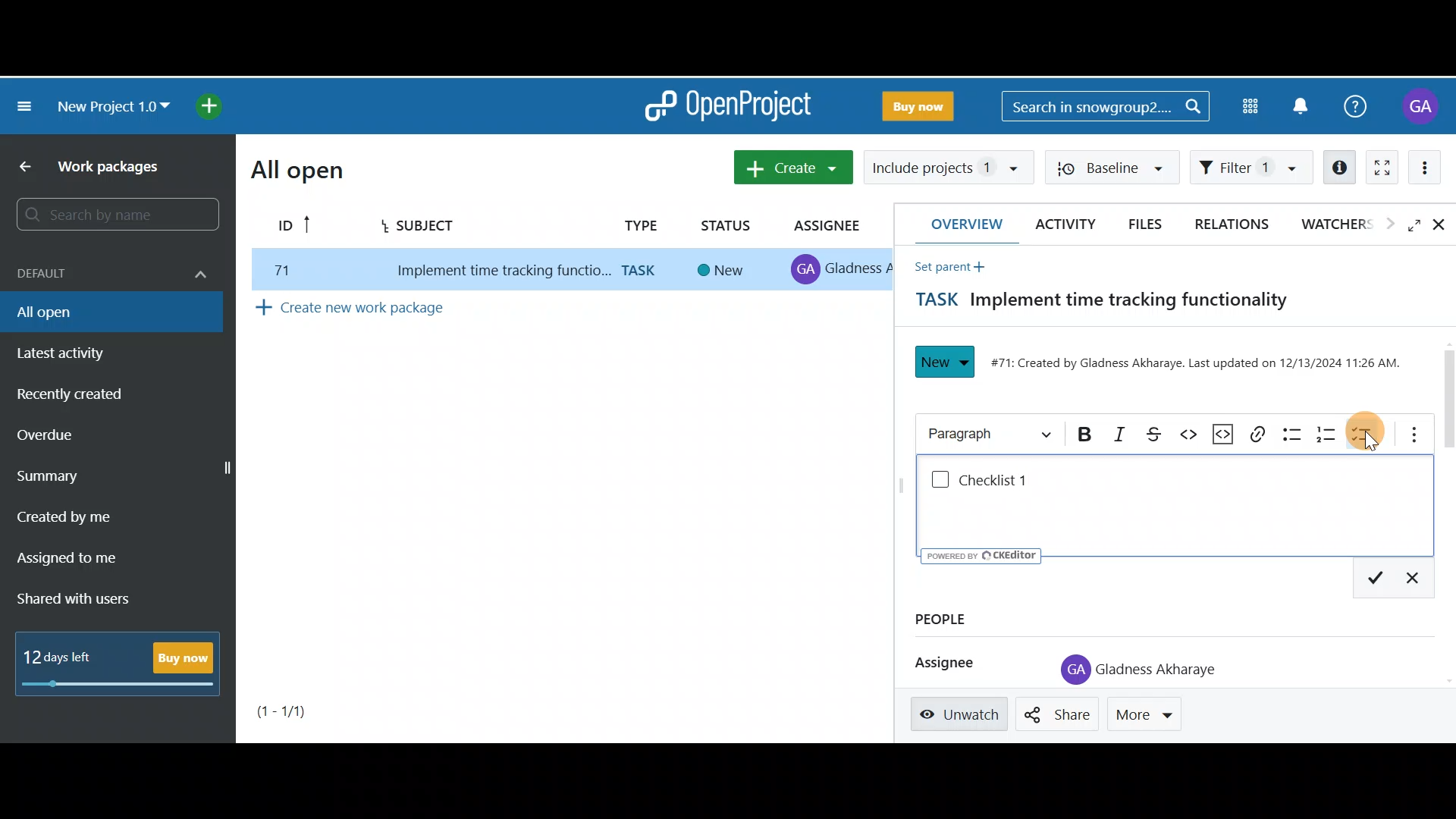 The image size is (1456, 819). I want to click on Buy now, so click(185, 657).